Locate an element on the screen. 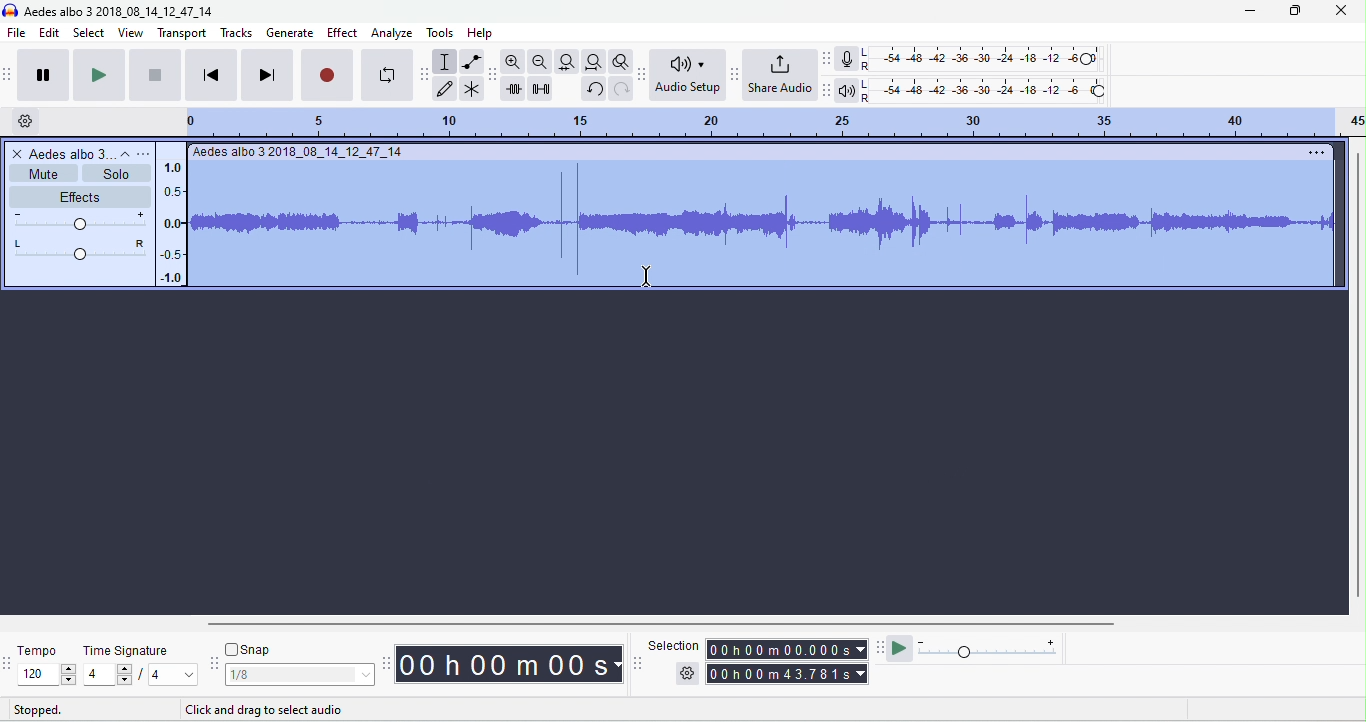 This screenshot has height=722, width=1366. zoom out is located at coordinates (540, 62).